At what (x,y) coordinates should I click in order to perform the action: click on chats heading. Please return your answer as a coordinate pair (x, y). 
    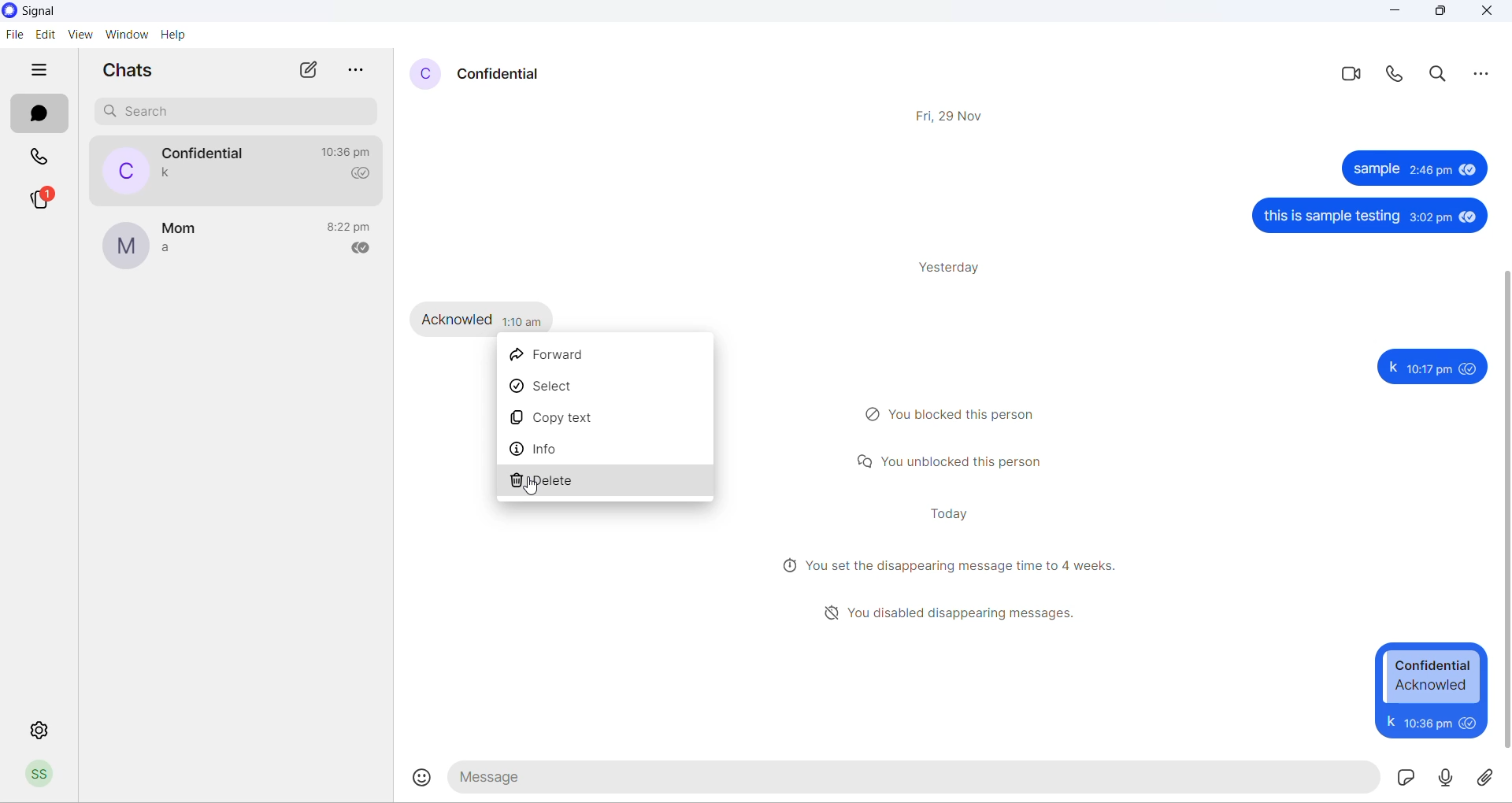
    Looking at the image, I should click on (135, 73).